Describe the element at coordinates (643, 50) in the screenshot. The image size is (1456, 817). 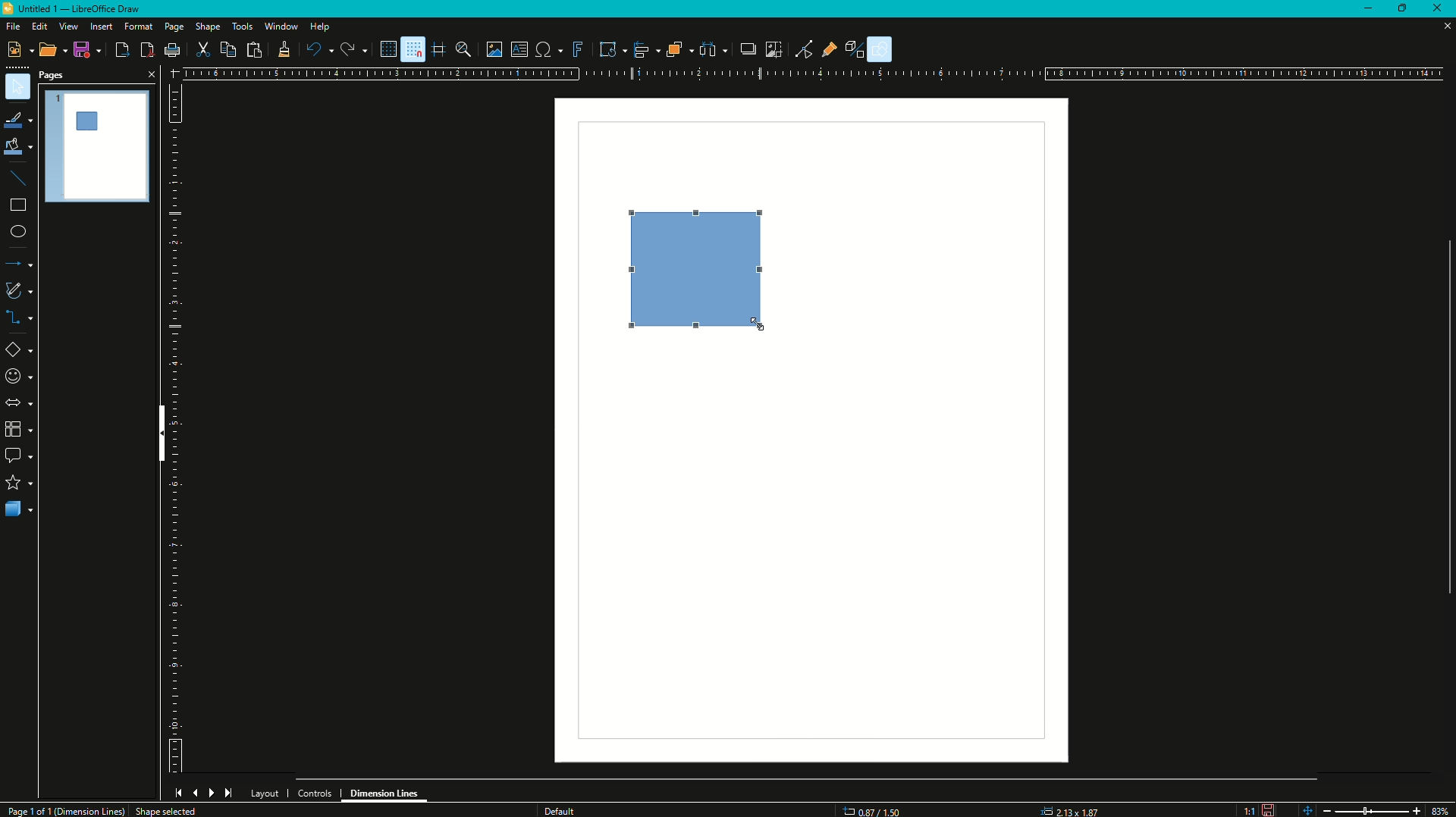
I see `Align Objects` at that location.